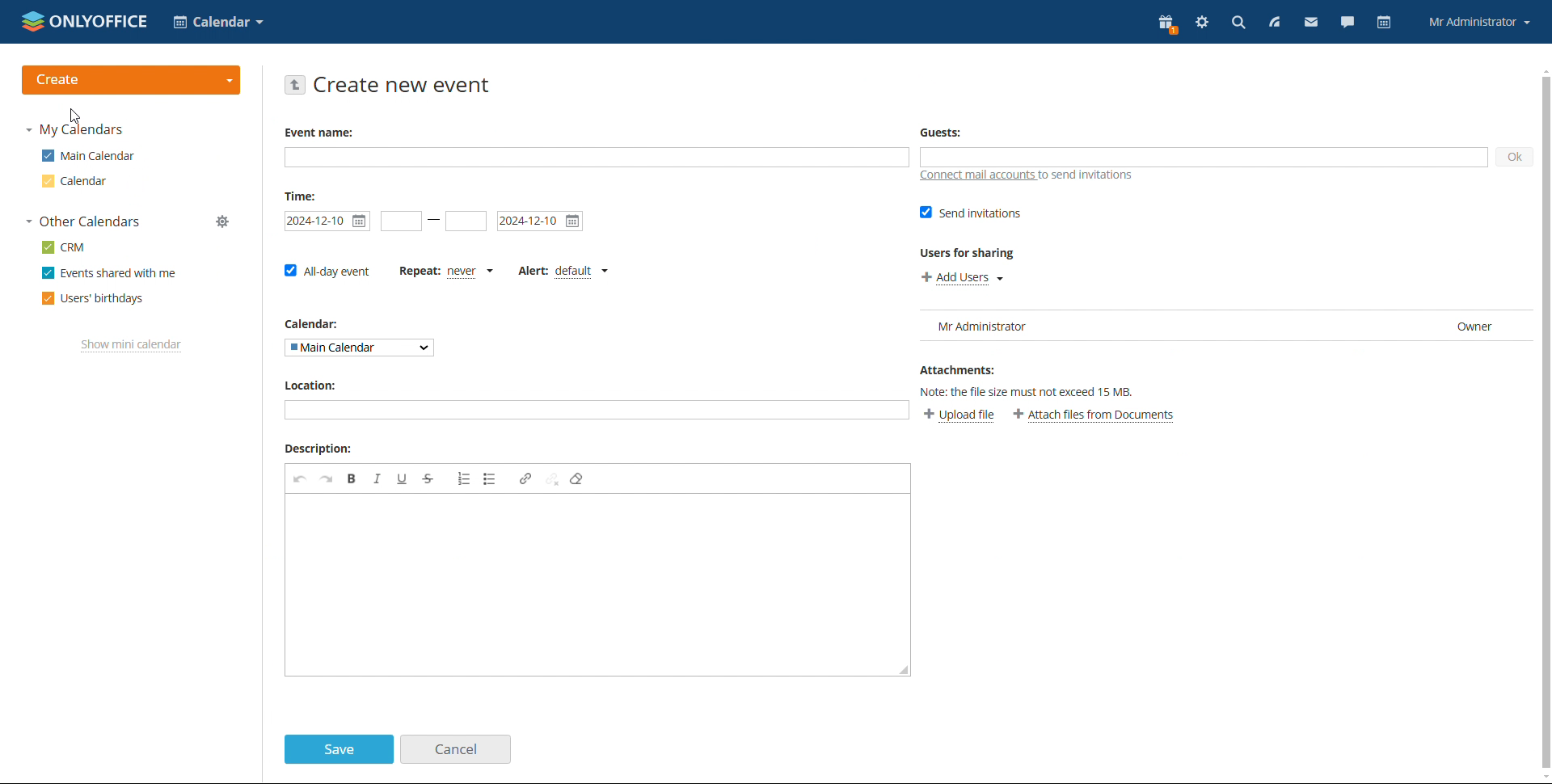  I want to click on redo, so click(327, 478).